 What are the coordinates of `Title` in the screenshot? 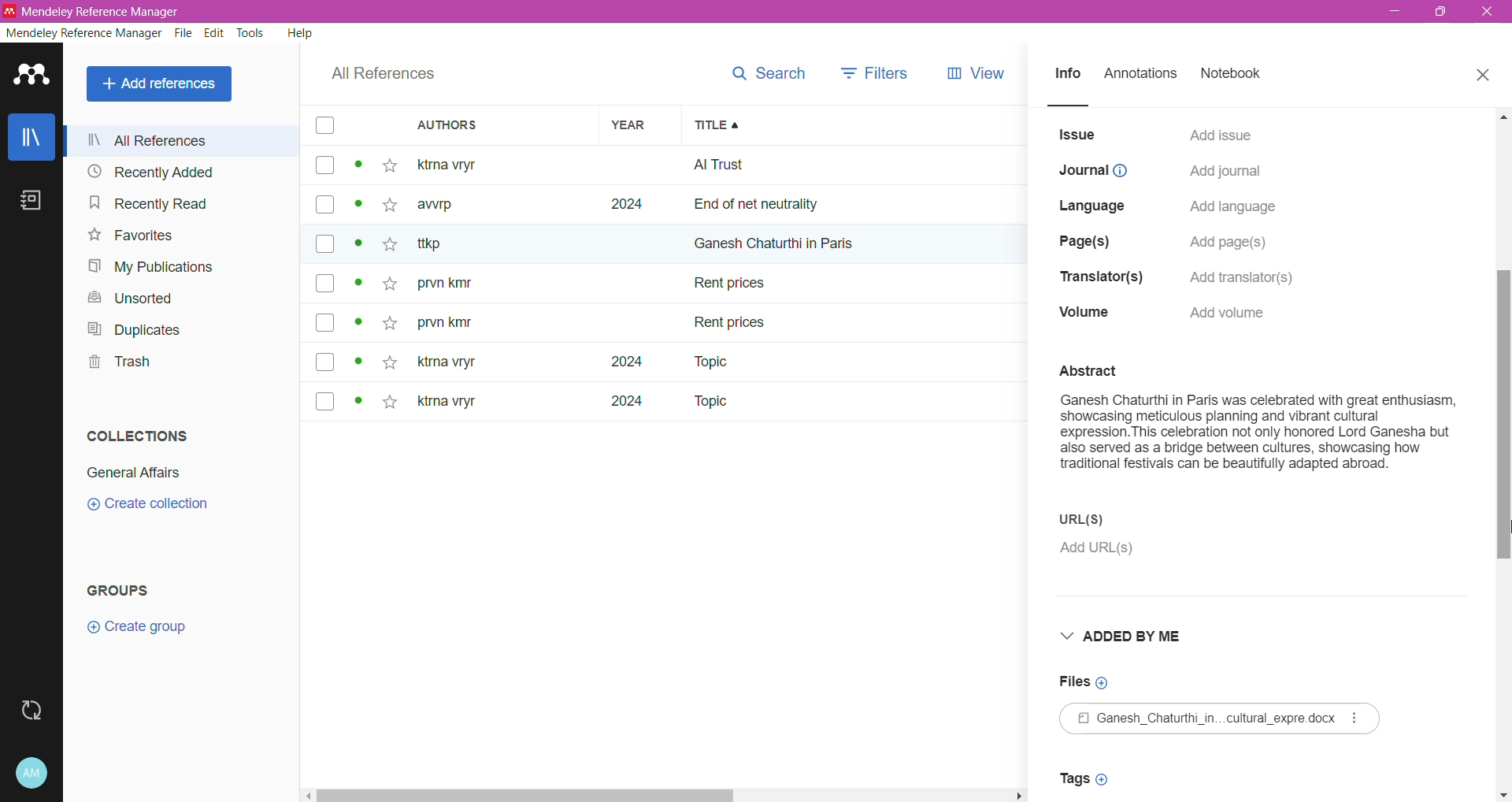 It's located at (854, 125).